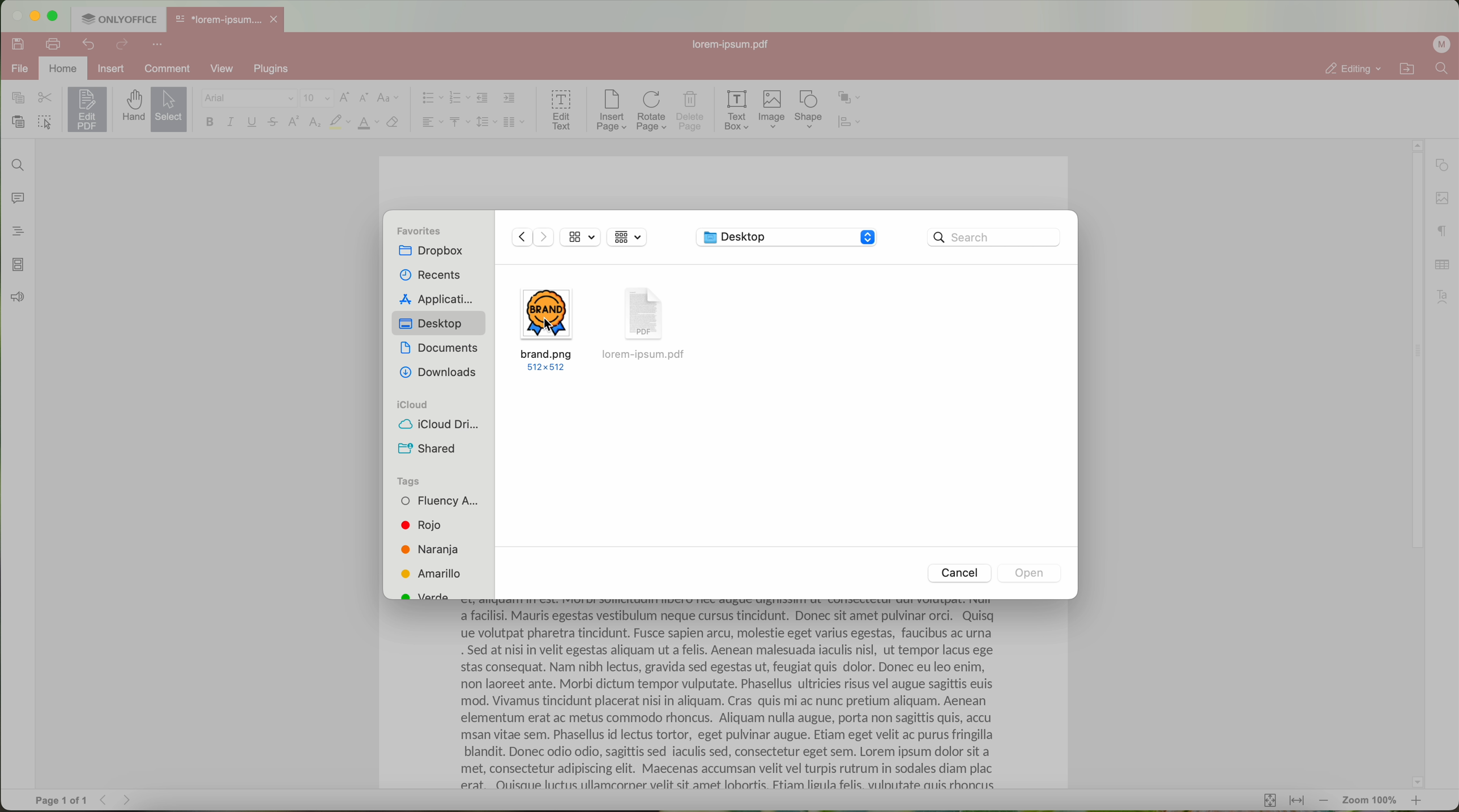  What do you see at coordinates (88, 111) in the screenshot?
I see `click on edit PDF` at bounding box center [88, 111].